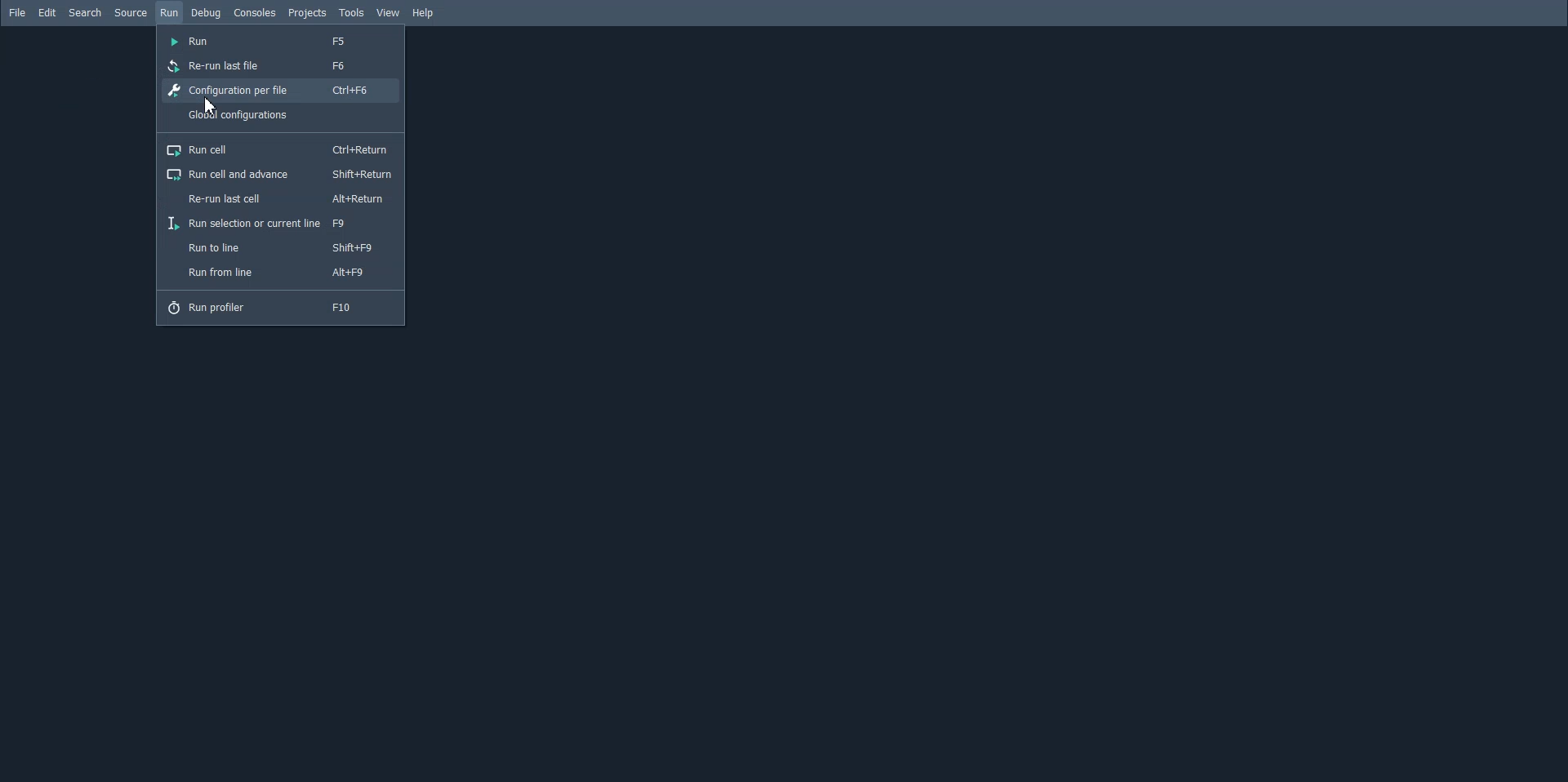 The image size is (1568, 782). Describe the element at coordinates (206, 12) in the screenshot. I see `Debug` at that location.